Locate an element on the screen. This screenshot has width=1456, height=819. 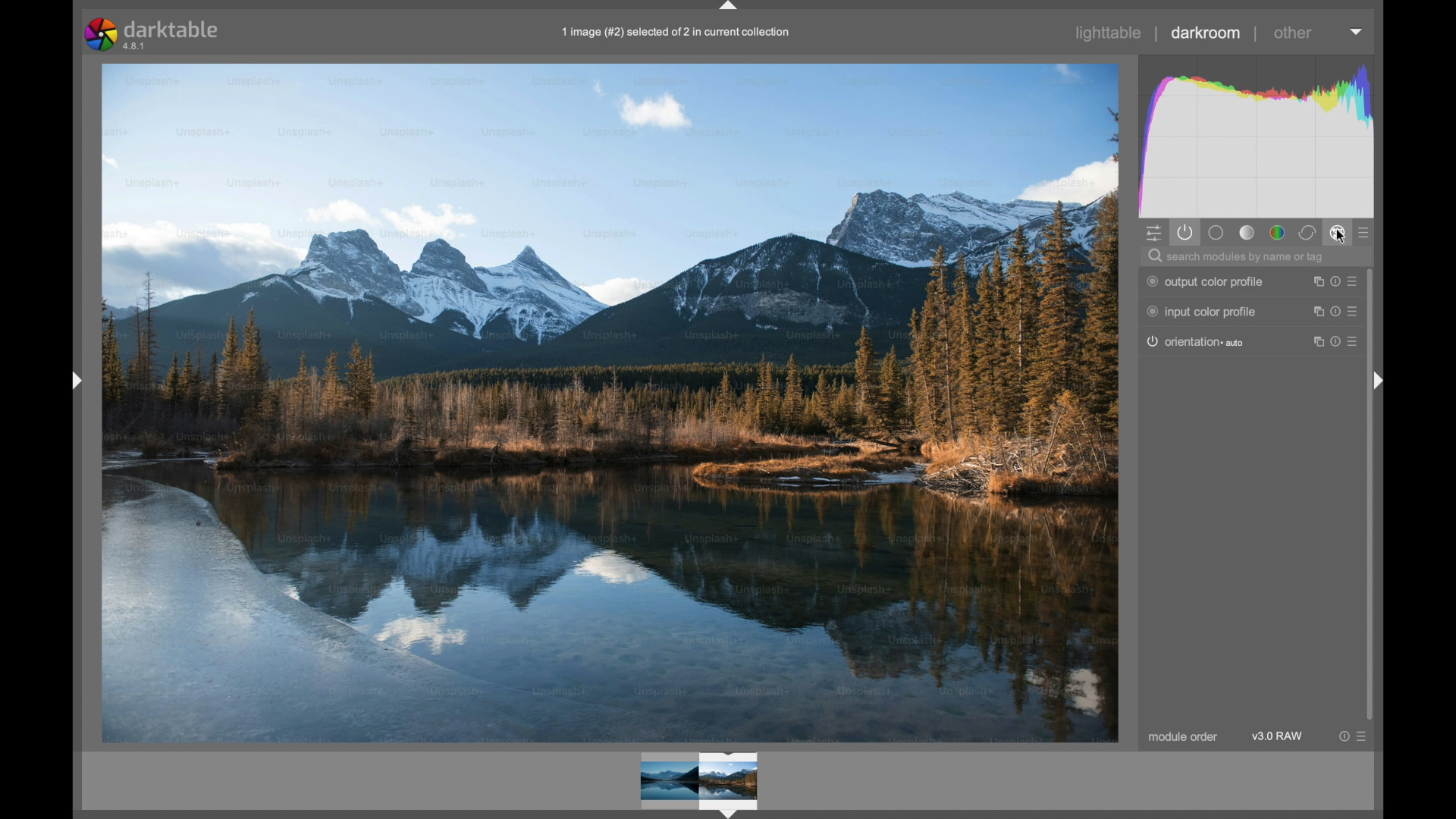
photo preview is located at coordinates (611, 402).